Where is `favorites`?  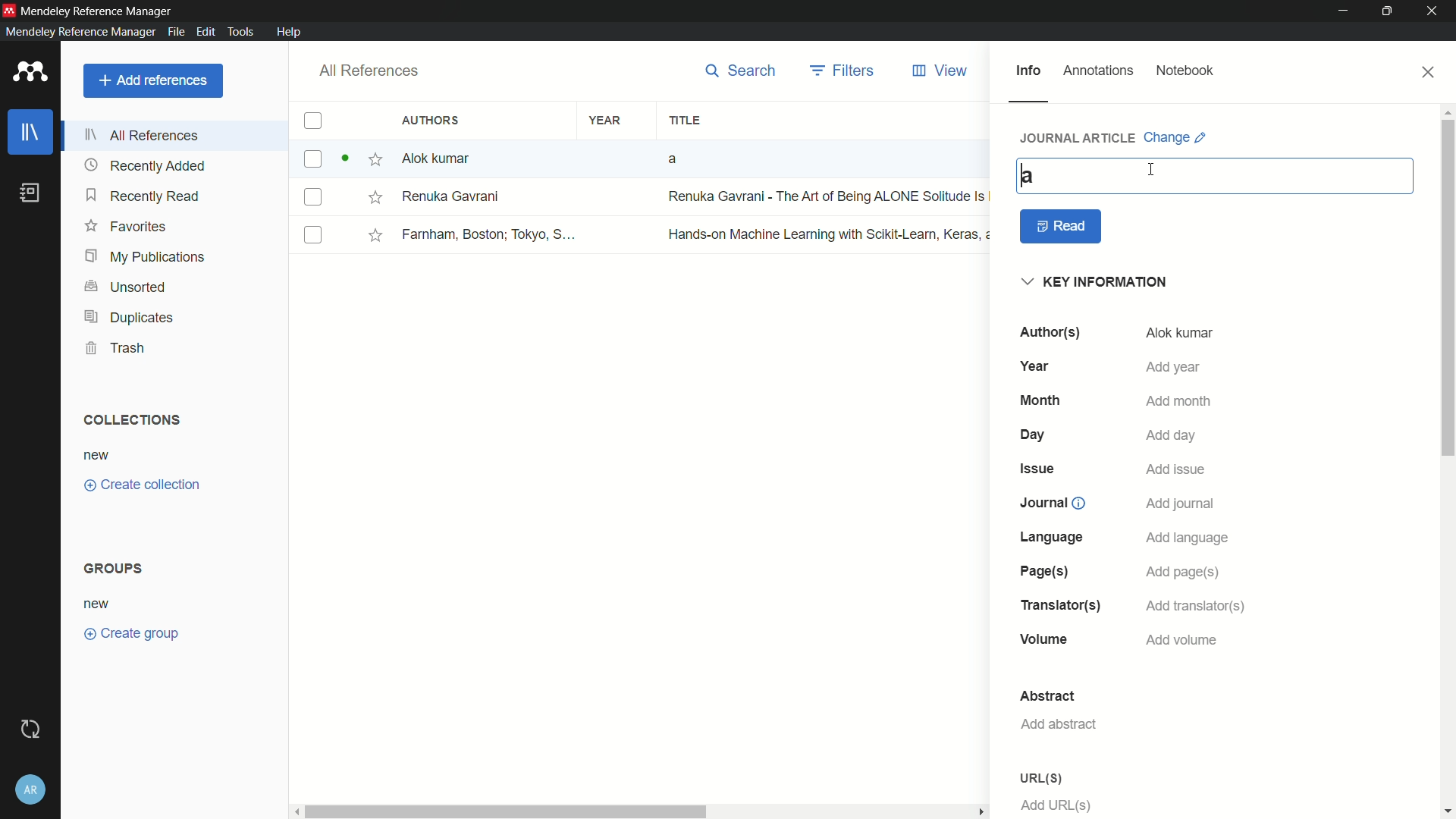
favorites is located at coordinates (125, 225).